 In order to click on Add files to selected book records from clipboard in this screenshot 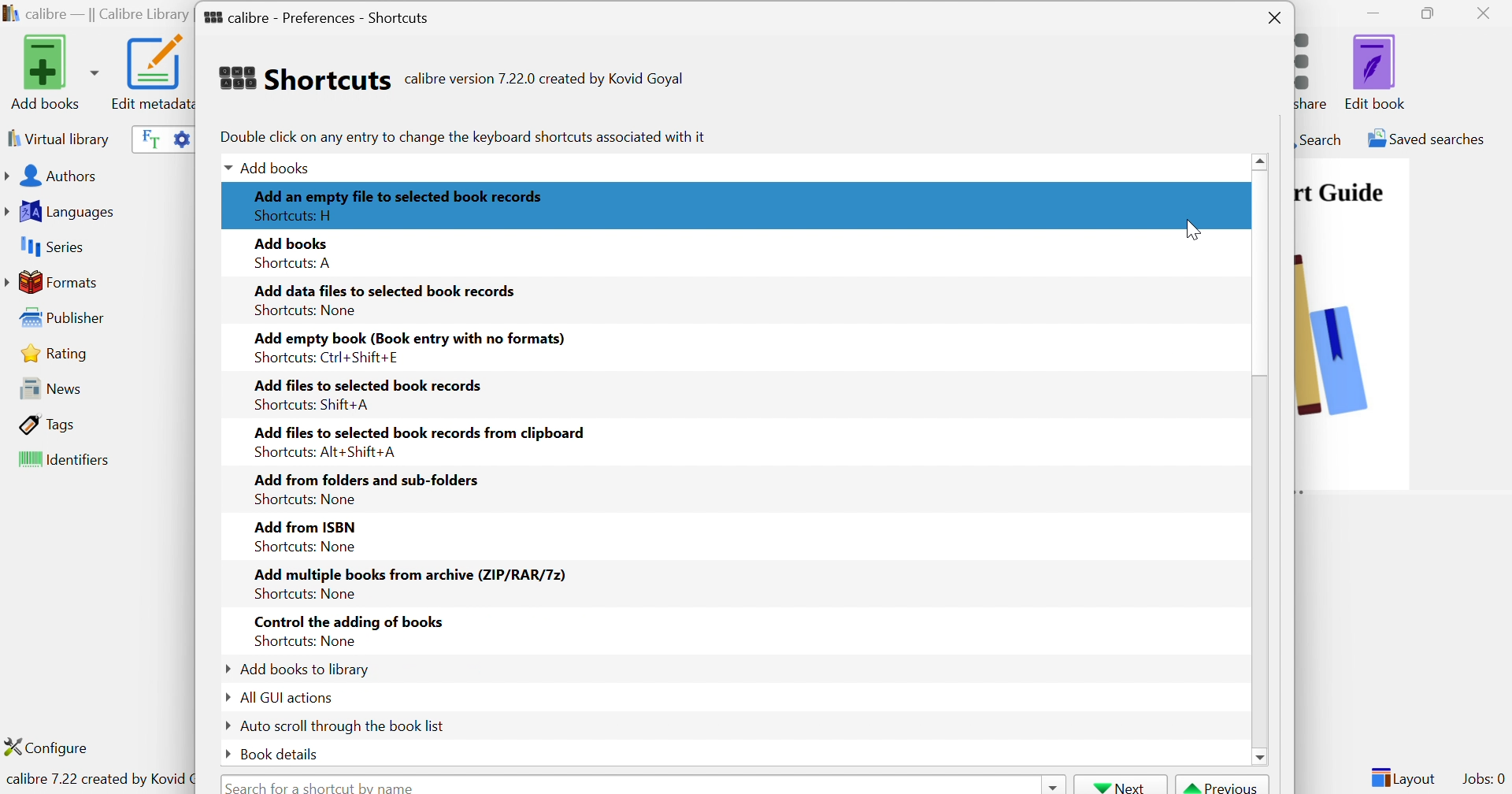, I will do `click(417, 432)`.